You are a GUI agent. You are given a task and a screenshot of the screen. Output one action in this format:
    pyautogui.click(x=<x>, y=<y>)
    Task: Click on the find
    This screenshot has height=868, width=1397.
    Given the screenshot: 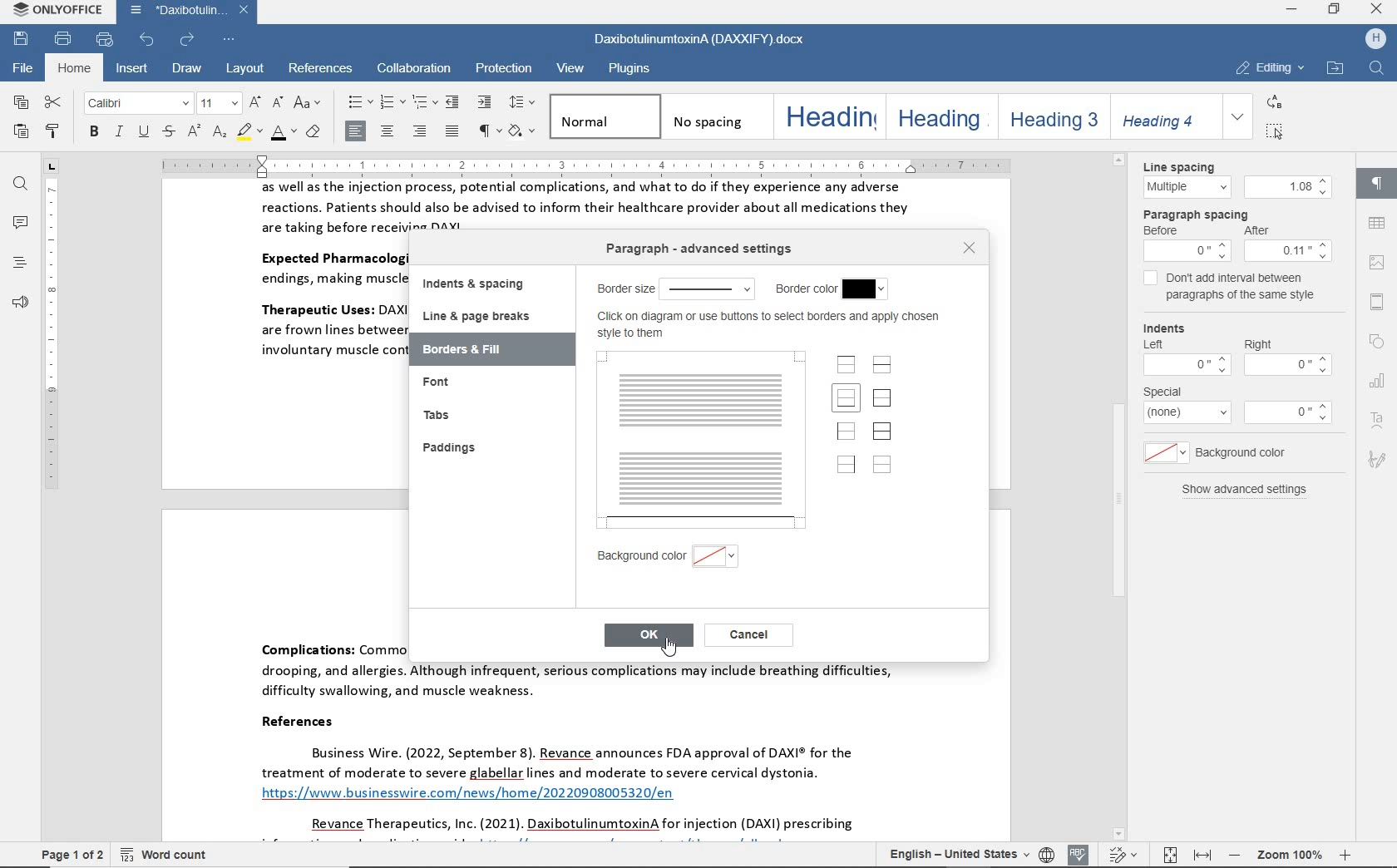 What is the action you would take?
    pyautogui.click(x=1375, y=70)
    